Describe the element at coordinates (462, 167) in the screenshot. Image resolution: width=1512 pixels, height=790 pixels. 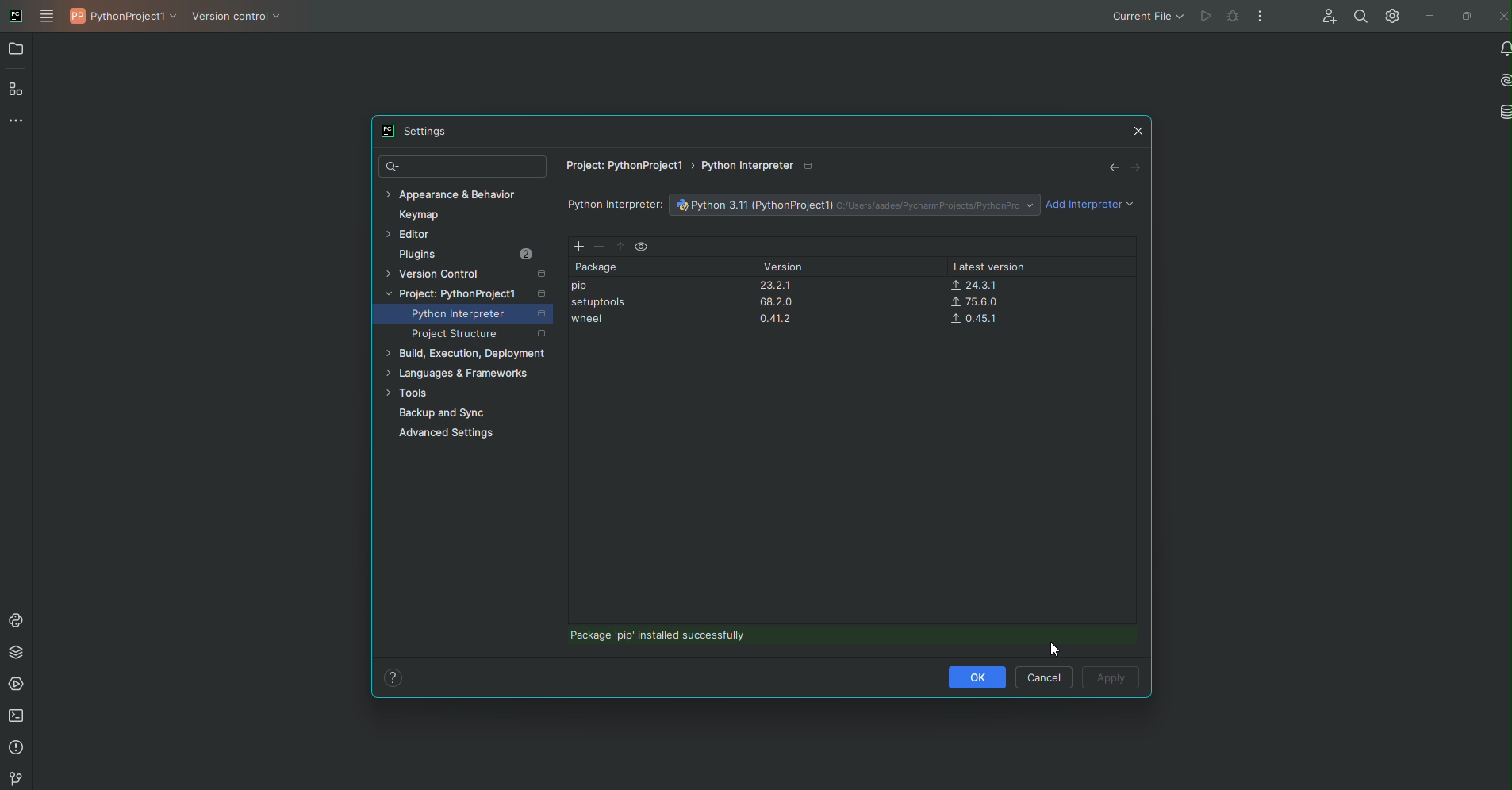
I see `Find` at that location.